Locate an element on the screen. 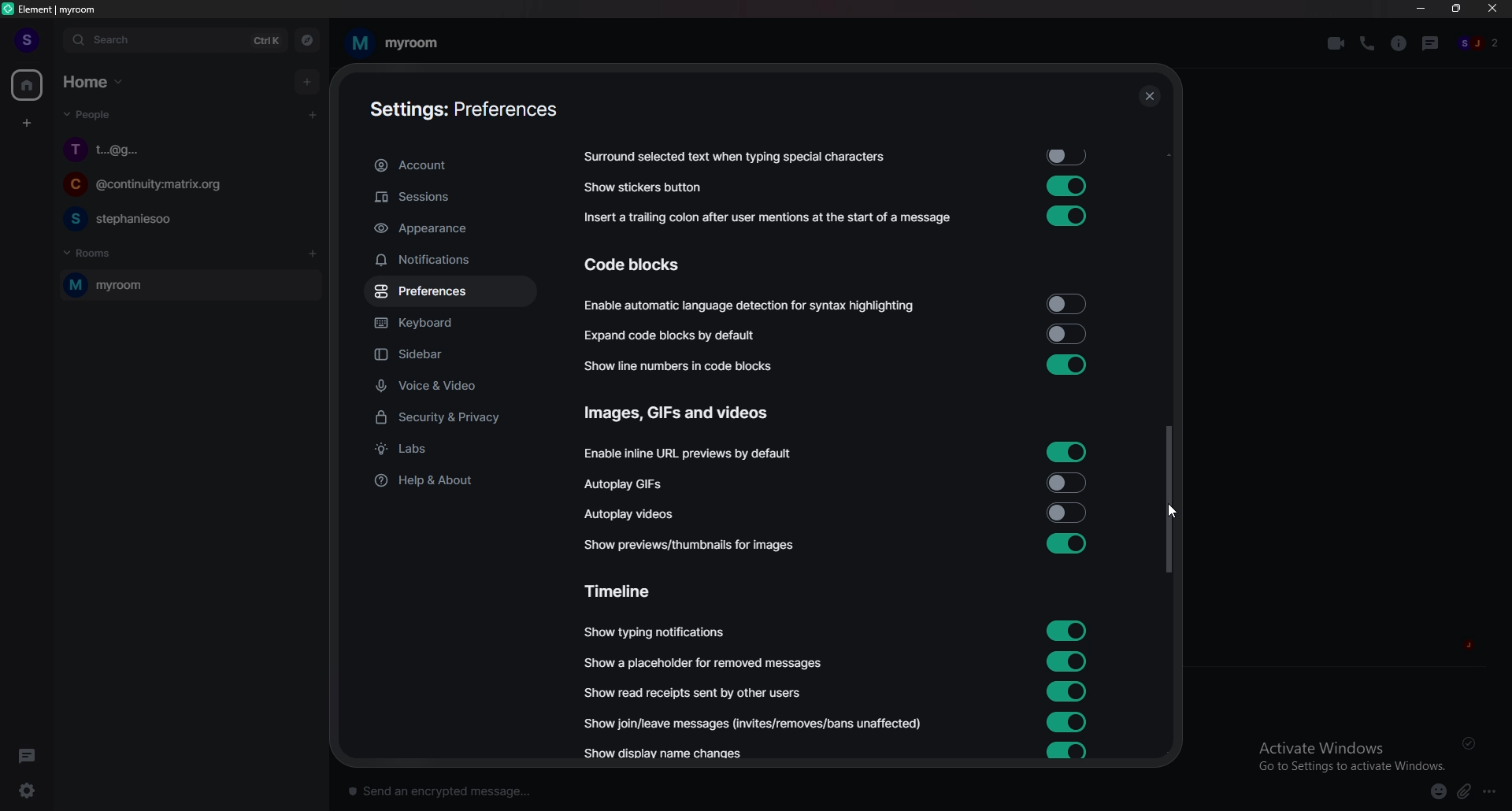 This screenshot has width=1512, height=811. enable automatic language detection is located at coordinates (751, 307).